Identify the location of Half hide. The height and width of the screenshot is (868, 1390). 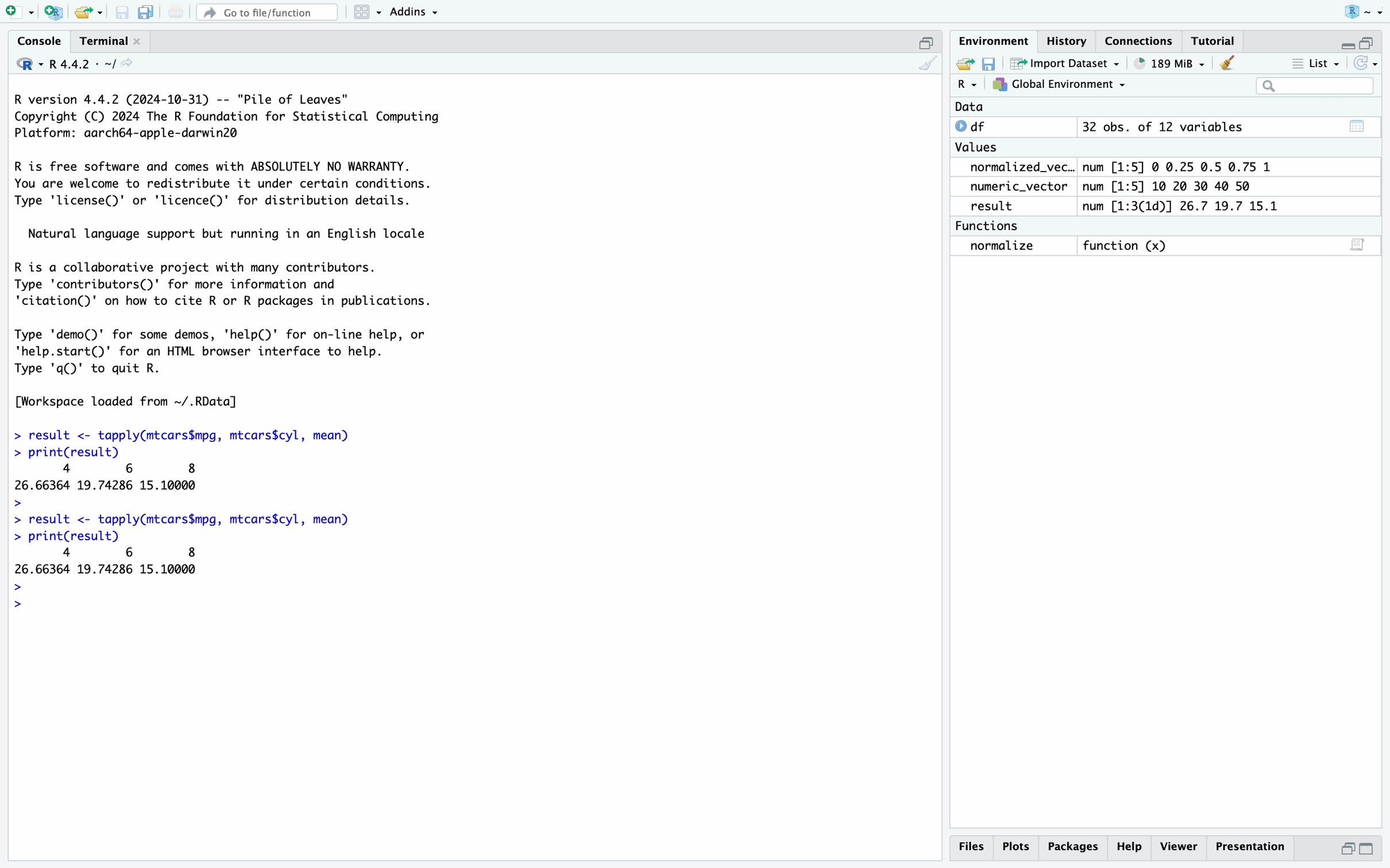
(927, 41).